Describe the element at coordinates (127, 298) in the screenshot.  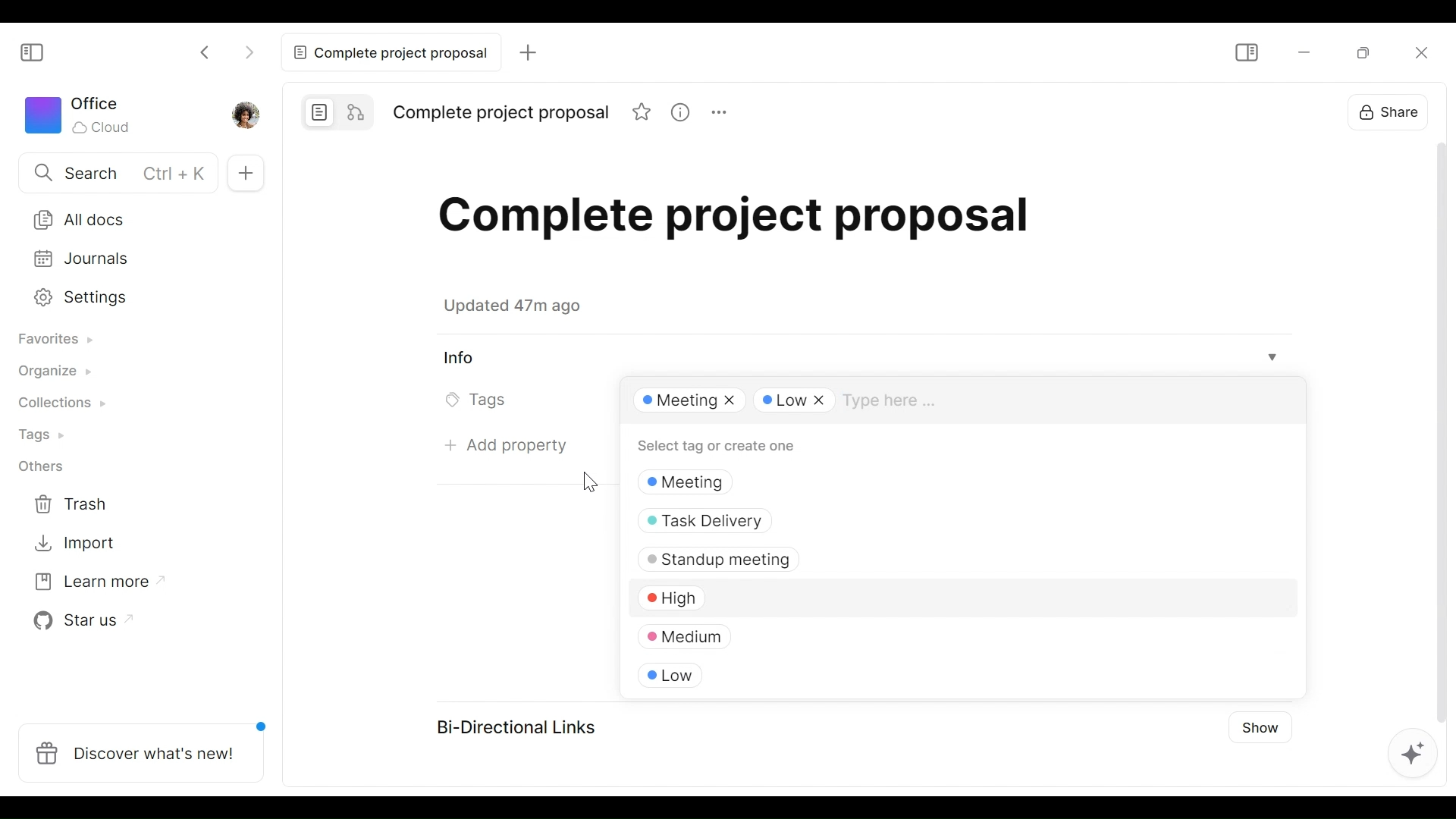
I see `Settings` at that location.